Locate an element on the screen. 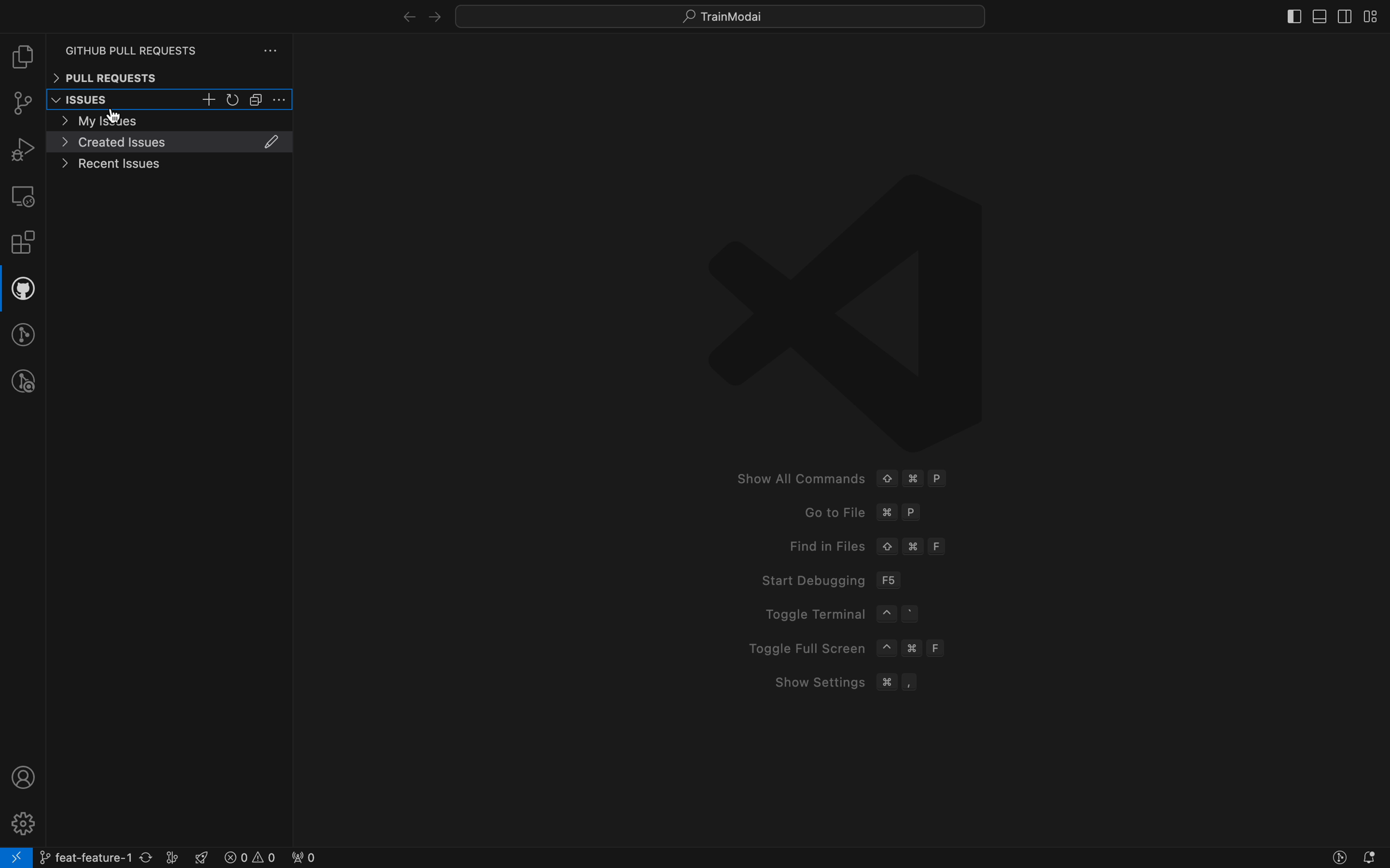 This screenshot has width=1390, height=868. welcome screen is located at coordinates (849, 437).